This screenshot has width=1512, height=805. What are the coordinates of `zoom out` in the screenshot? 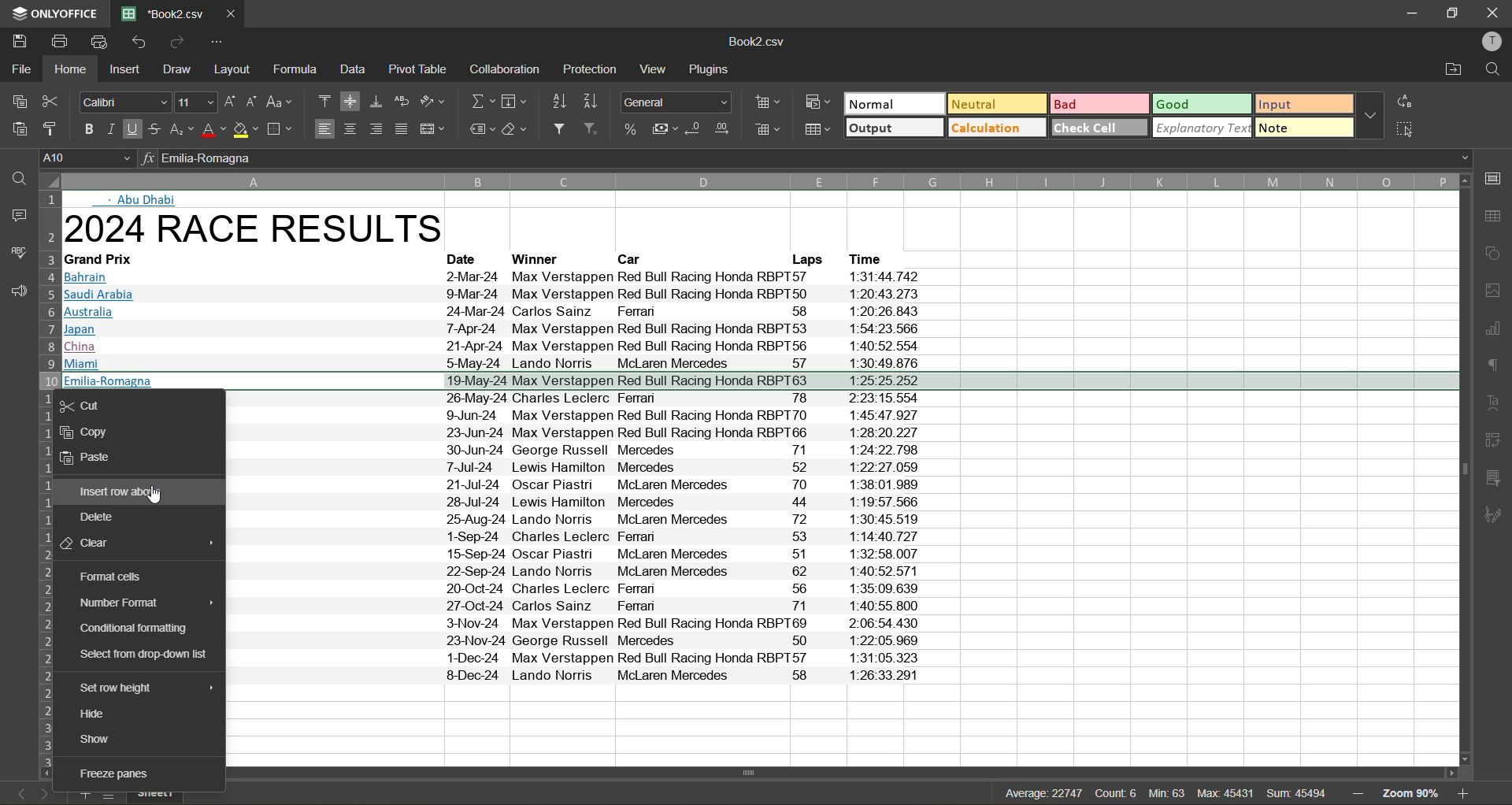 It's located at (1358, 796).